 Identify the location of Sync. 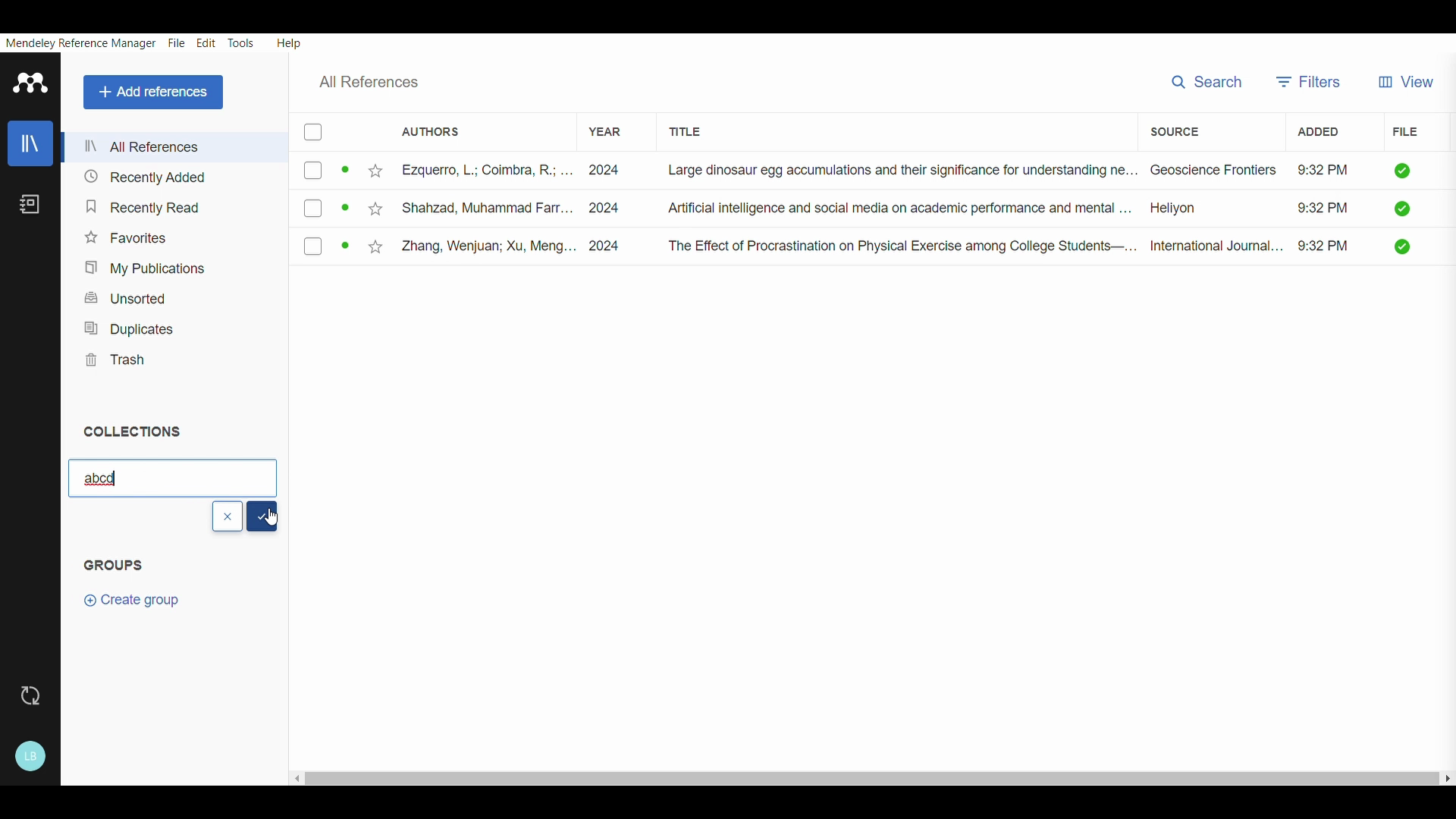
(30, 697).